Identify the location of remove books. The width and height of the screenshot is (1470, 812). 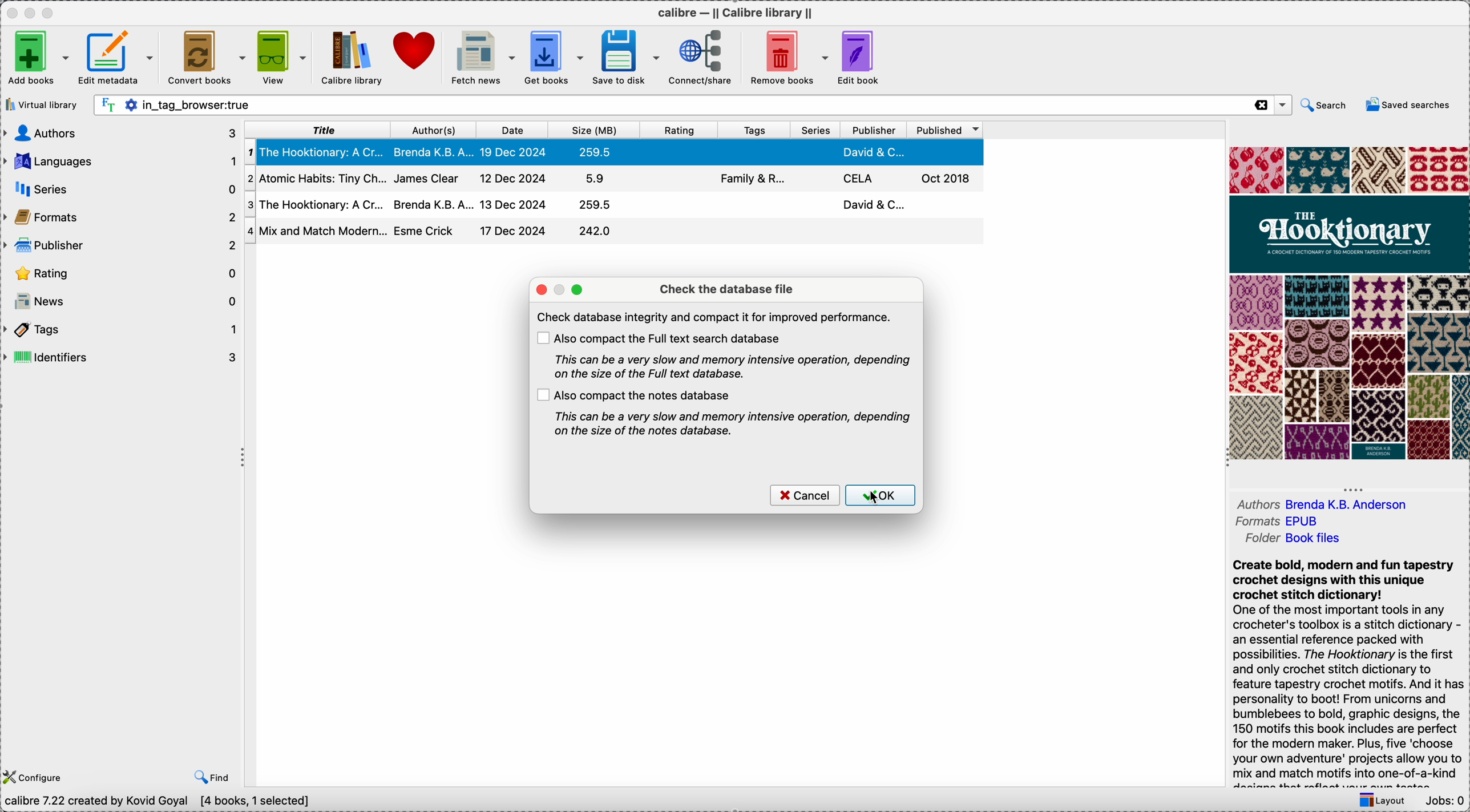
(785, 57).